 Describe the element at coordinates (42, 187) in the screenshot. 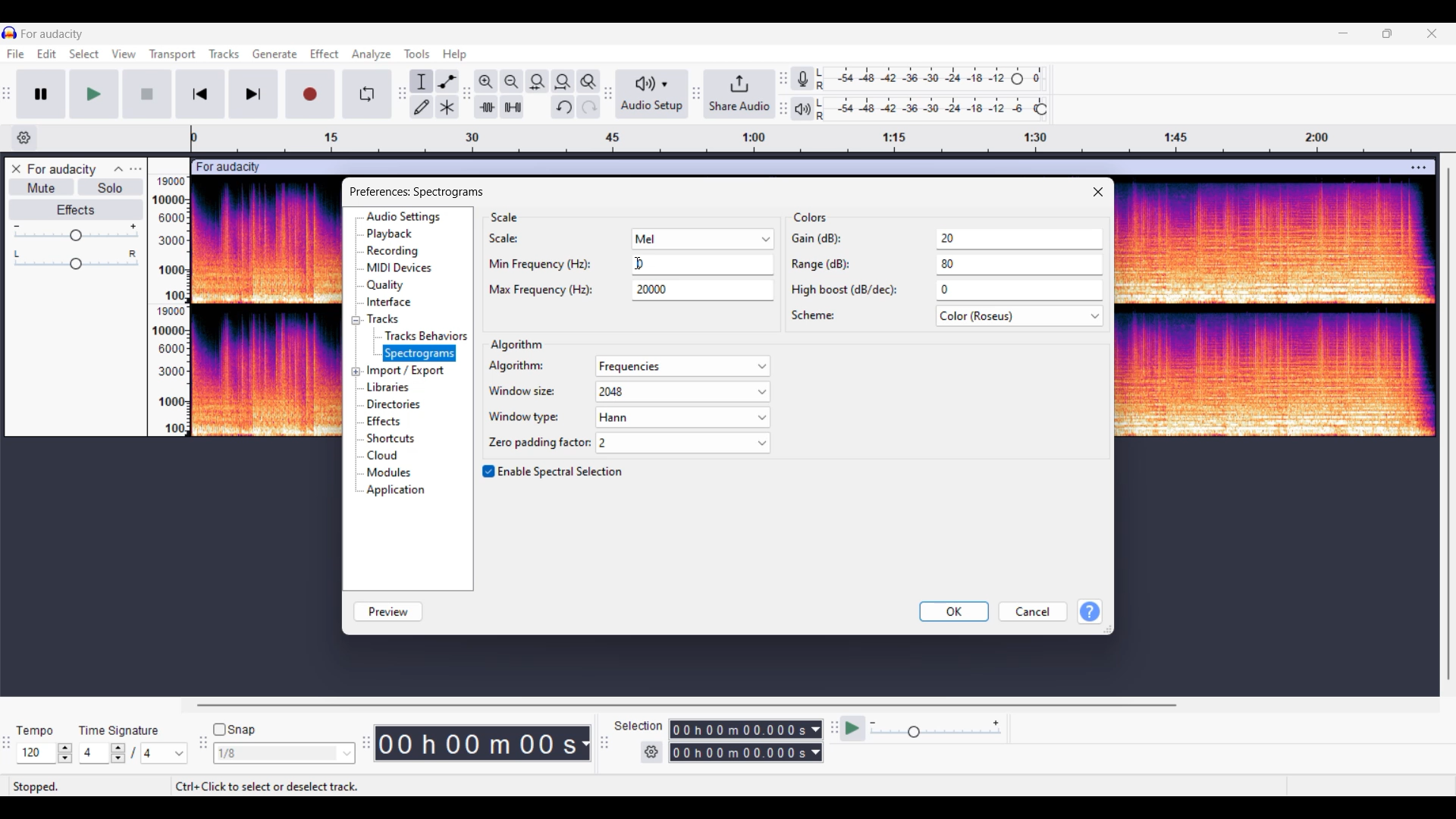

I see `Mute` at that location.